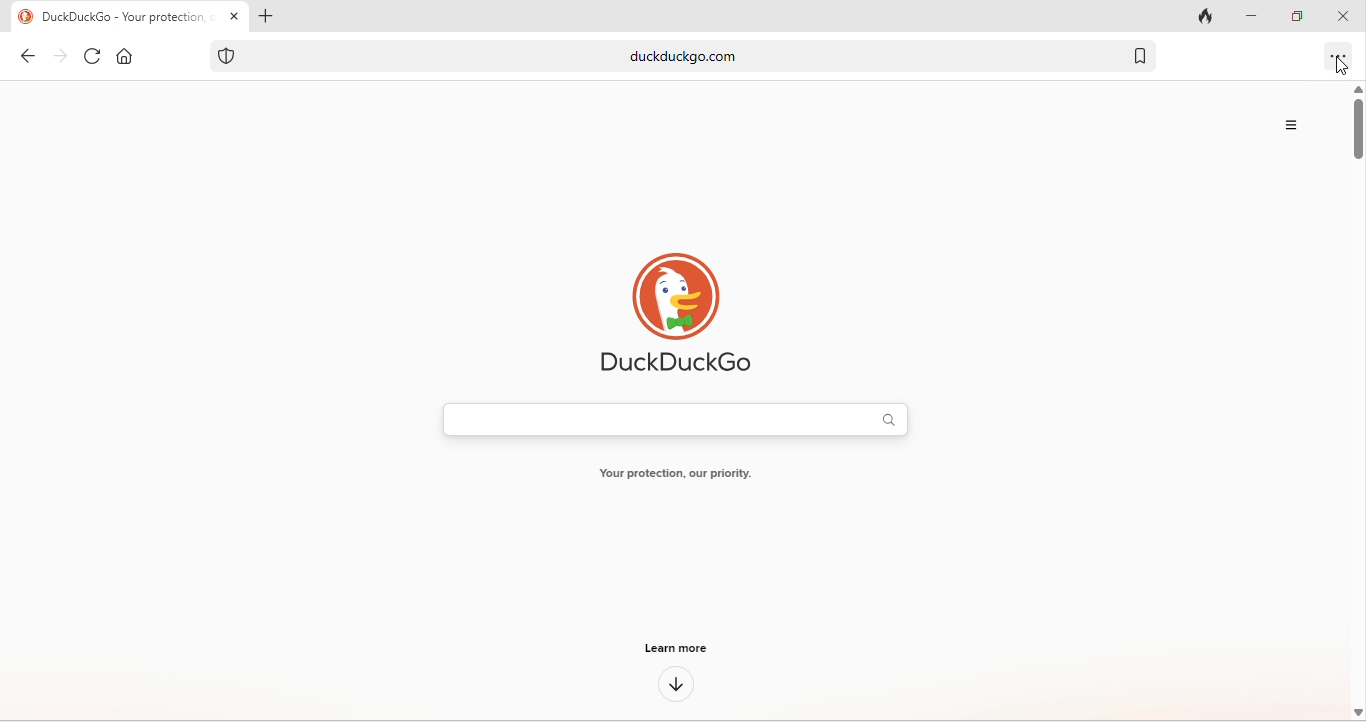  I want to click on bookmark, so click(1142, 56).